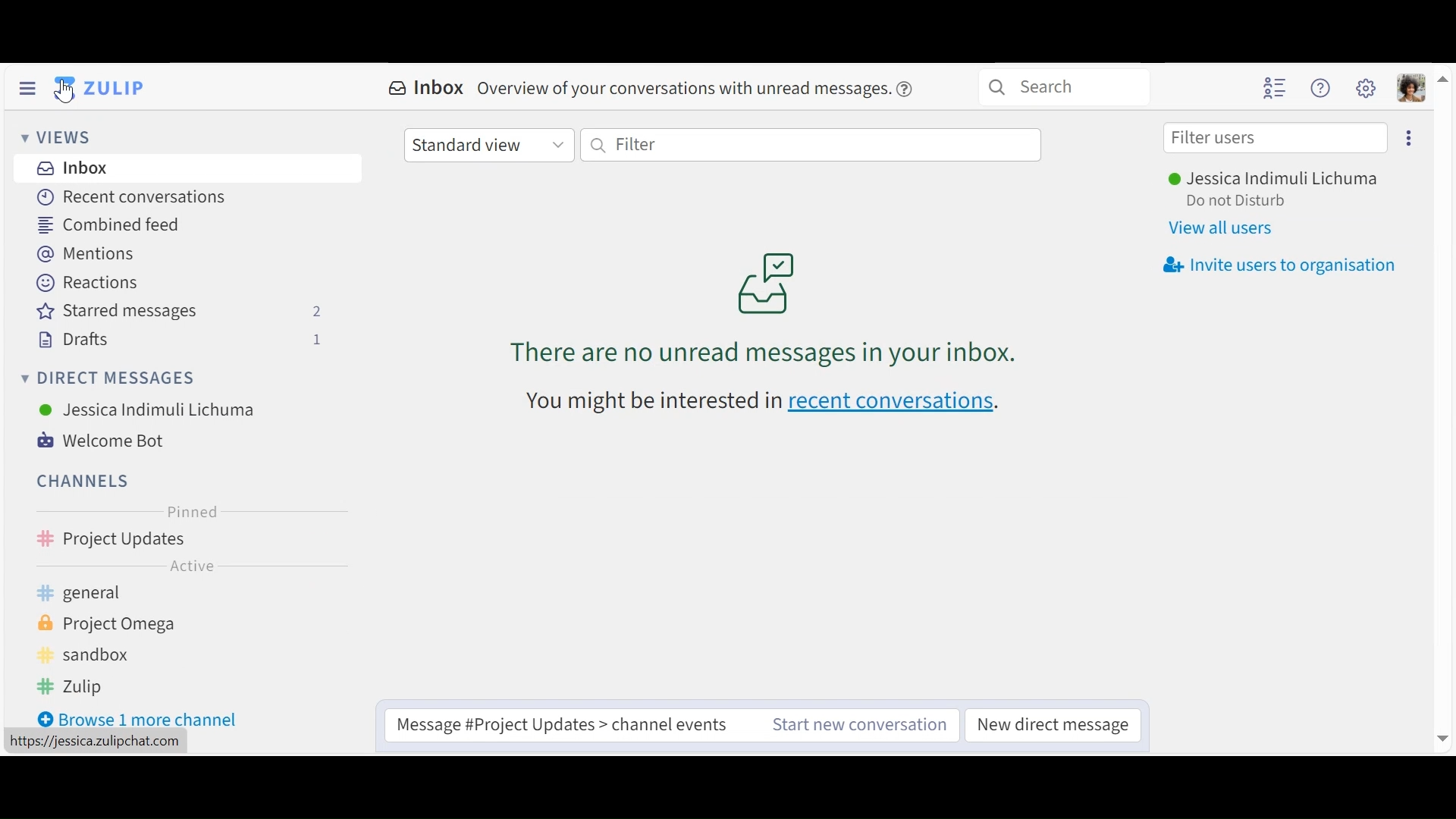  I want to click on Standard View, so click(491, 146).